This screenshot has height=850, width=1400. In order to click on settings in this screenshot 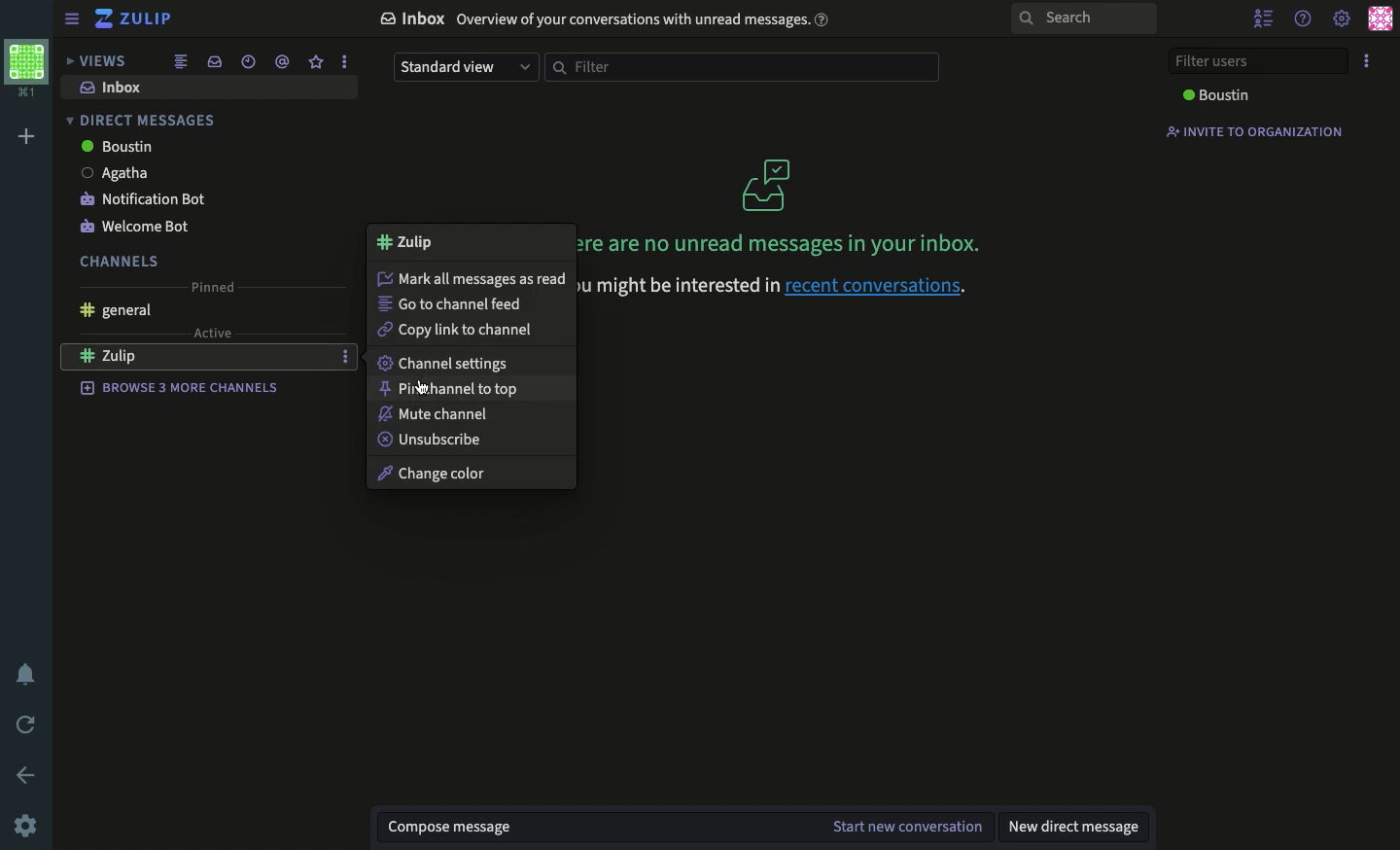, I will do `click(1341, 19)`.